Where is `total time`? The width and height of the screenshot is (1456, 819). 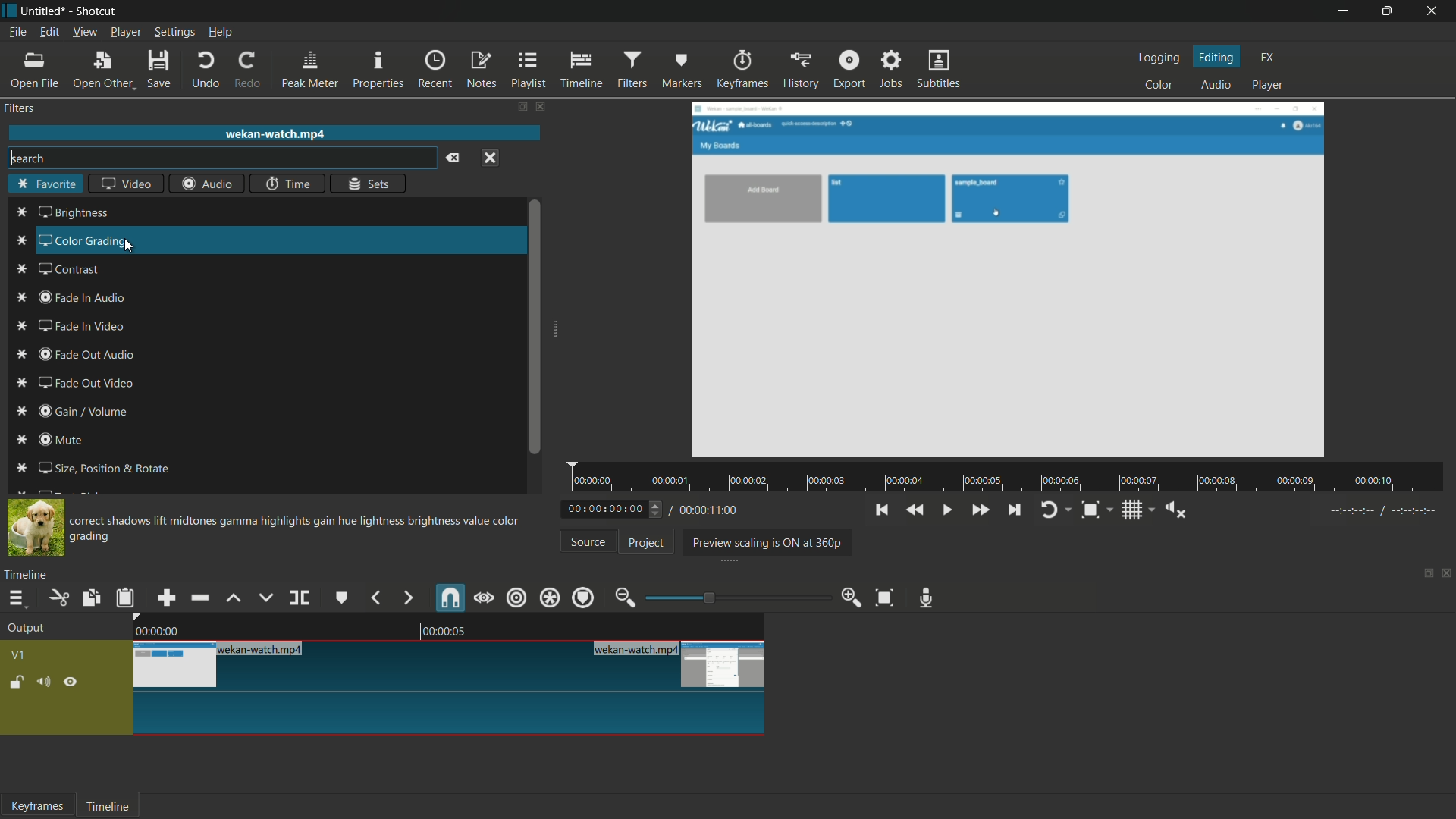 total time is located at coordinates (708, 510).